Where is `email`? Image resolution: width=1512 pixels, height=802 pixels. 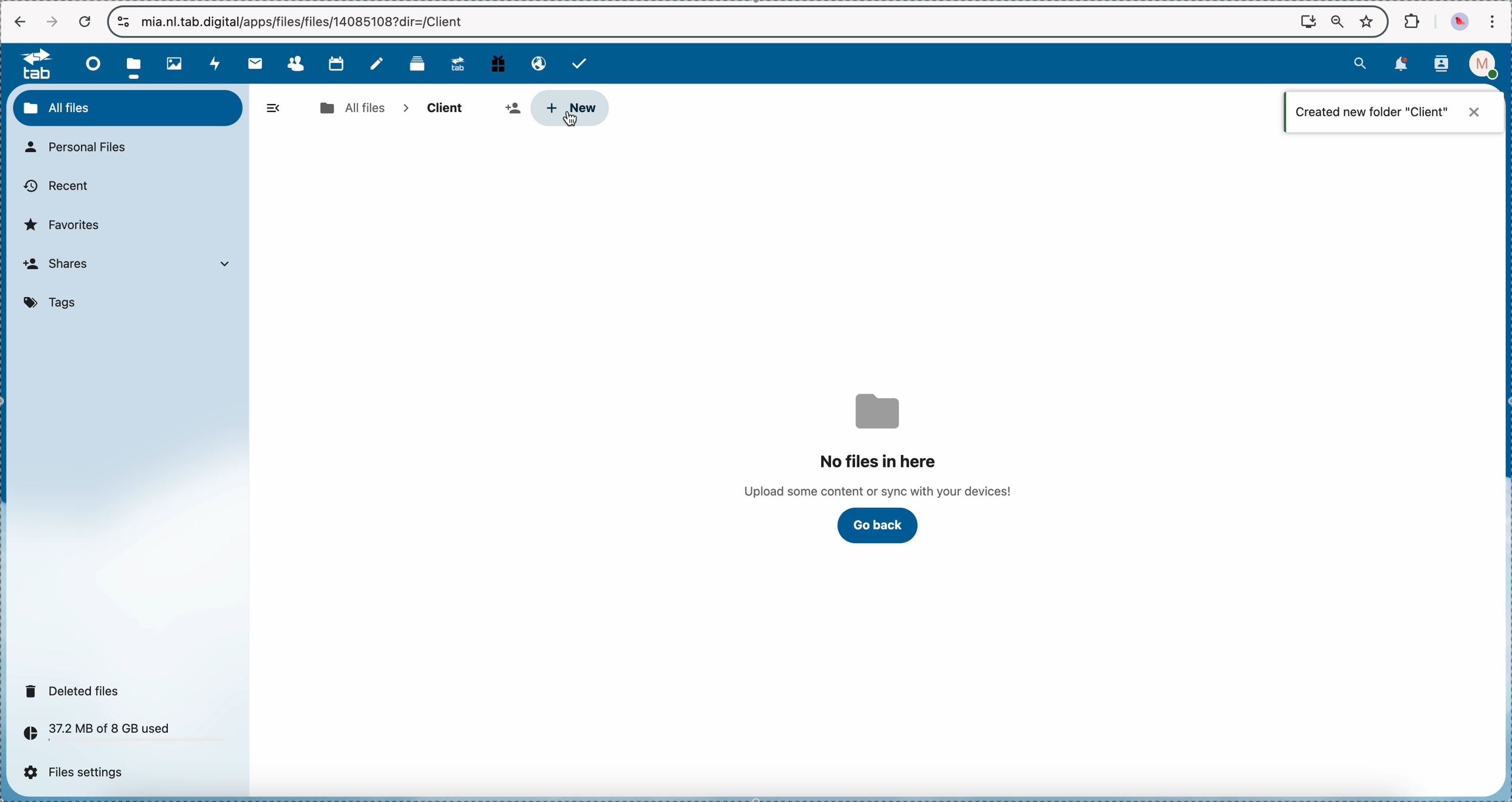
email is located at coordinates (536, 62).